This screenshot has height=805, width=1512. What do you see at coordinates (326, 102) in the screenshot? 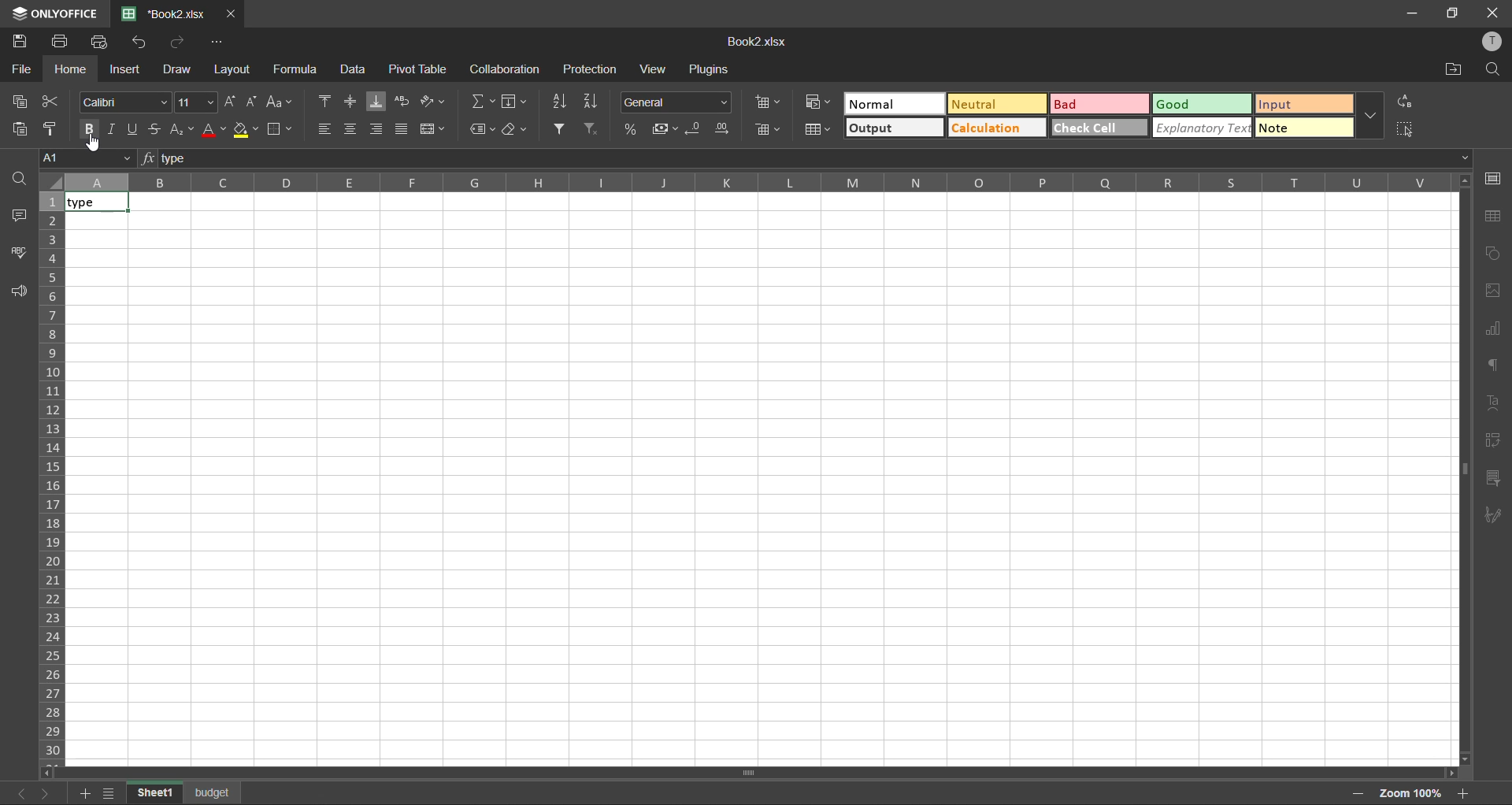
I see `align top` at bounding box center [326, 102].